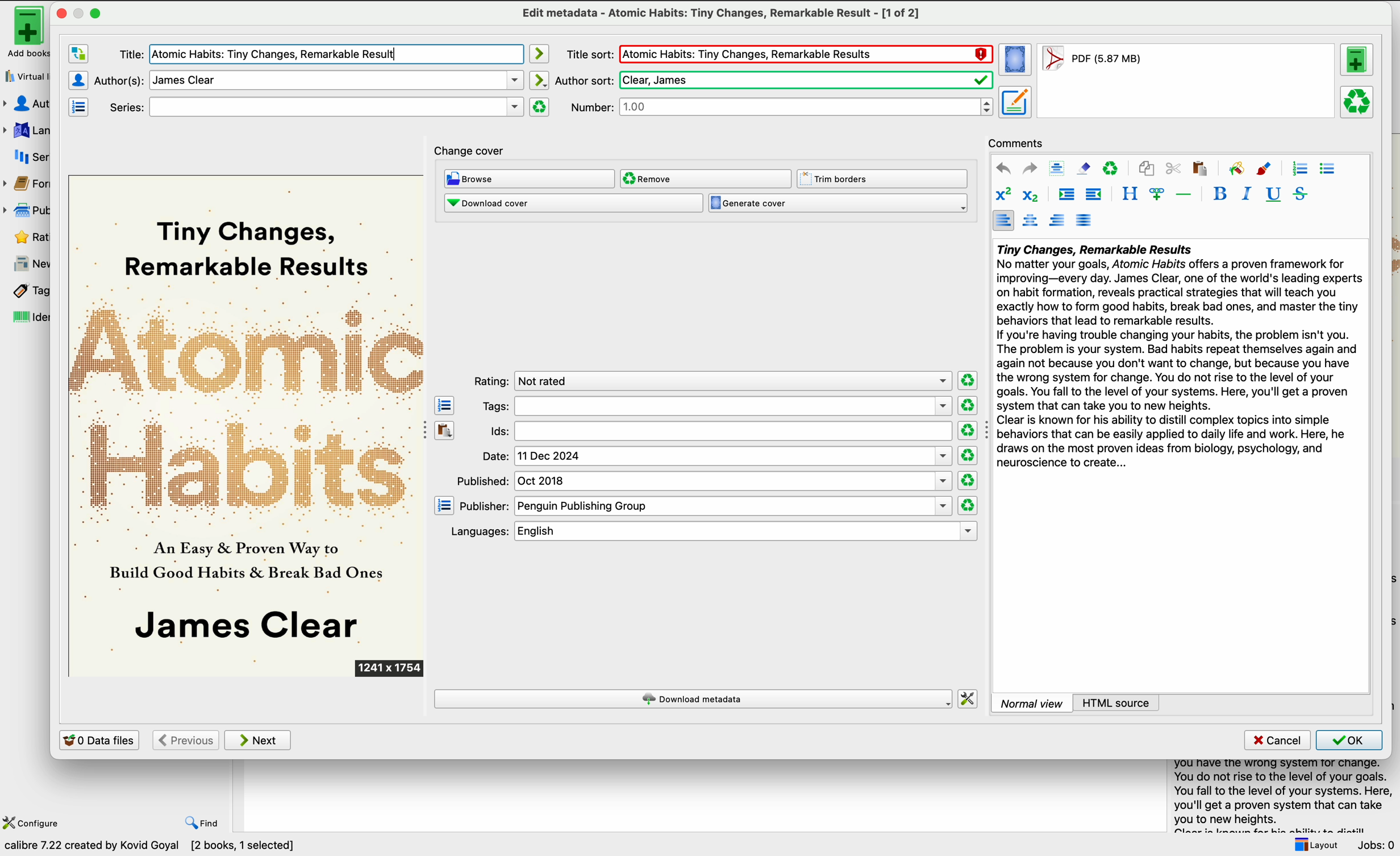 The height and width of the screenshot is (856, 1400). I want to click on authors, so click(28, 104).